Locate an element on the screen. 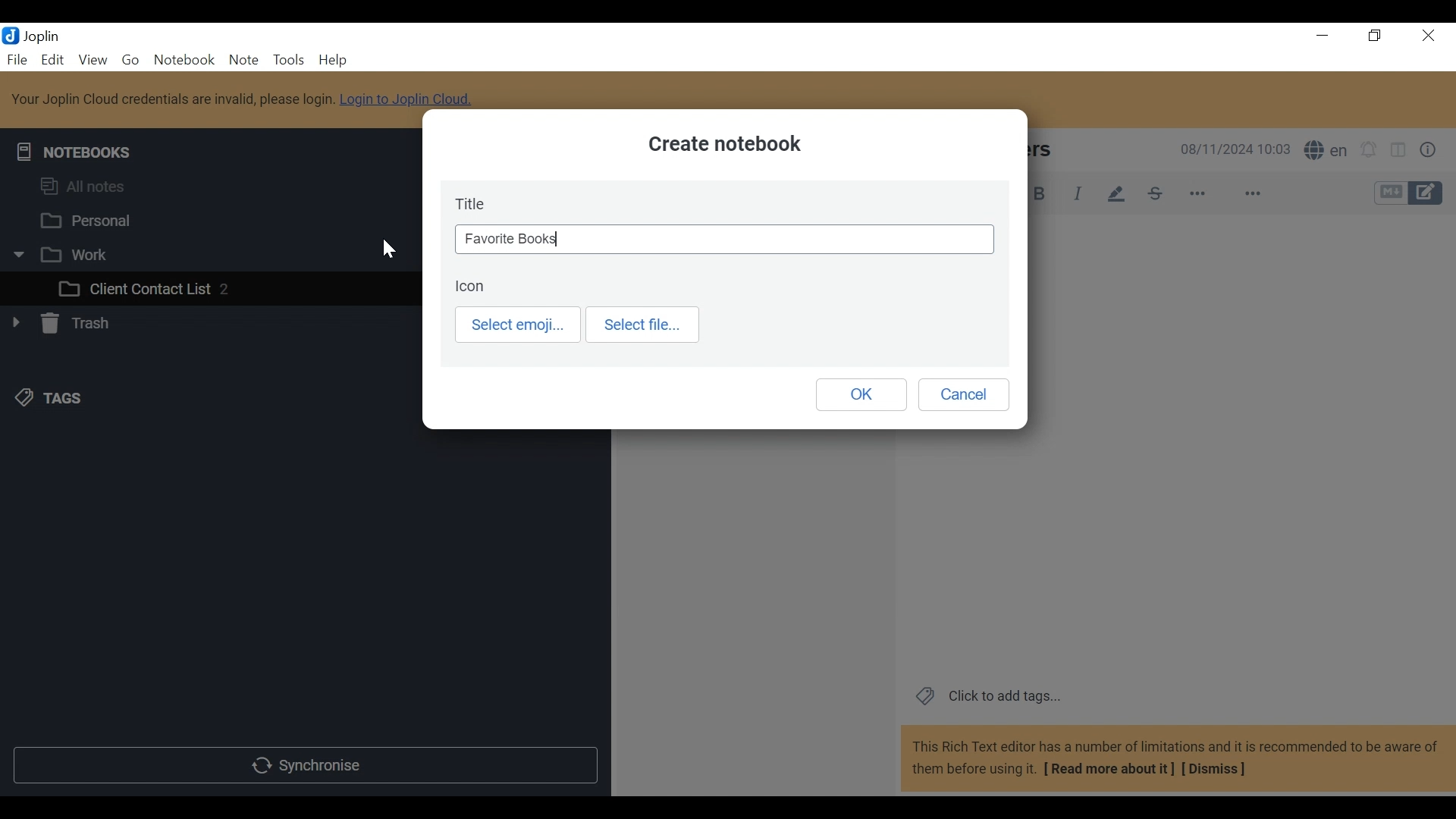 The width and height of the screenshot is (1456, 819). 08/11/2024 10:03 is located at coordinates (1228, 149).